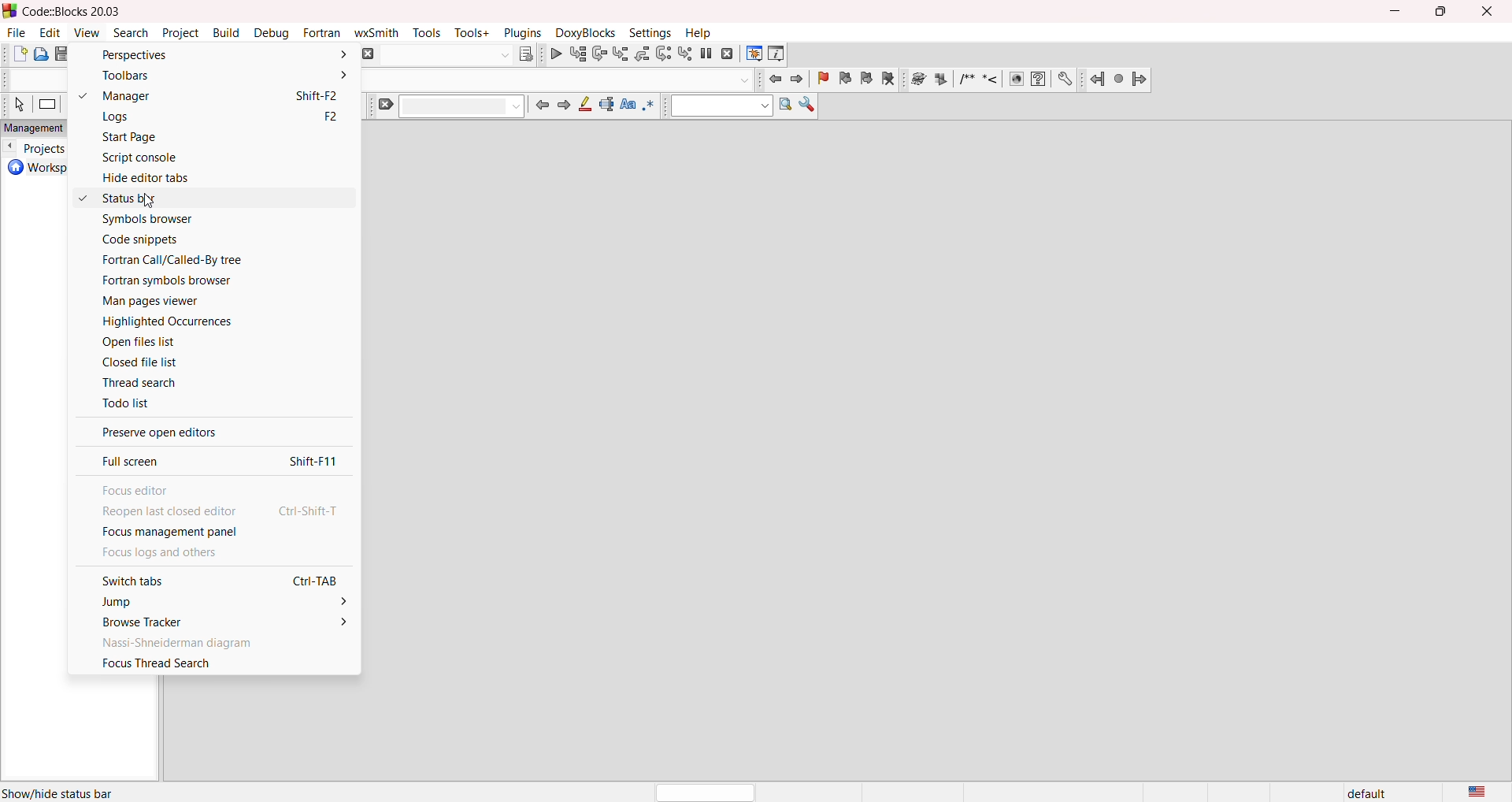 The image size is (1512, 802). Describe the element at coordinates (598, 55) in the screenshot. I see `next line ` at that location.